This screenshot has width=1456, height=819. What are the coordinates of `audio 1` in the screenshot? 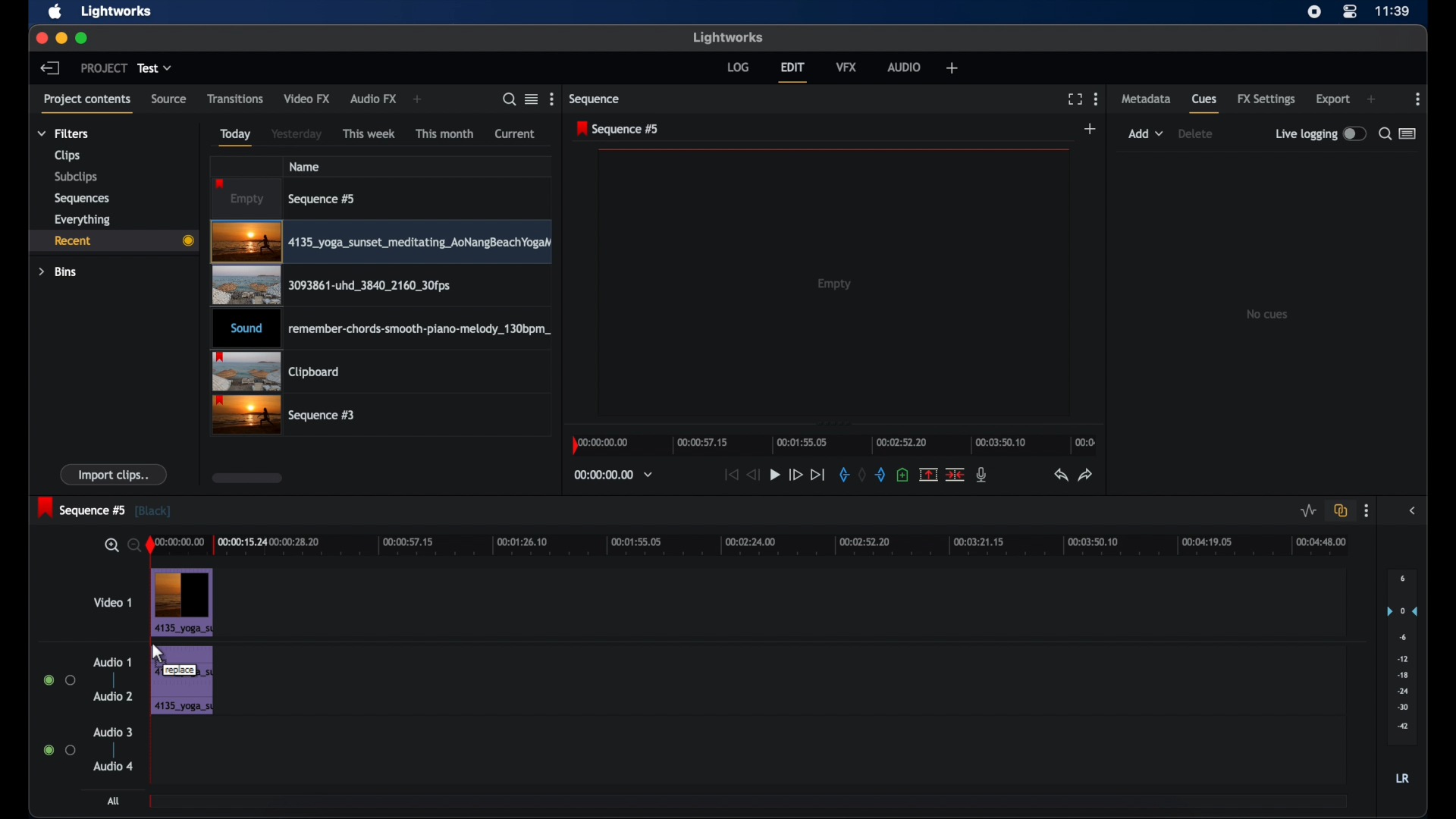 It's located at (113, 662).